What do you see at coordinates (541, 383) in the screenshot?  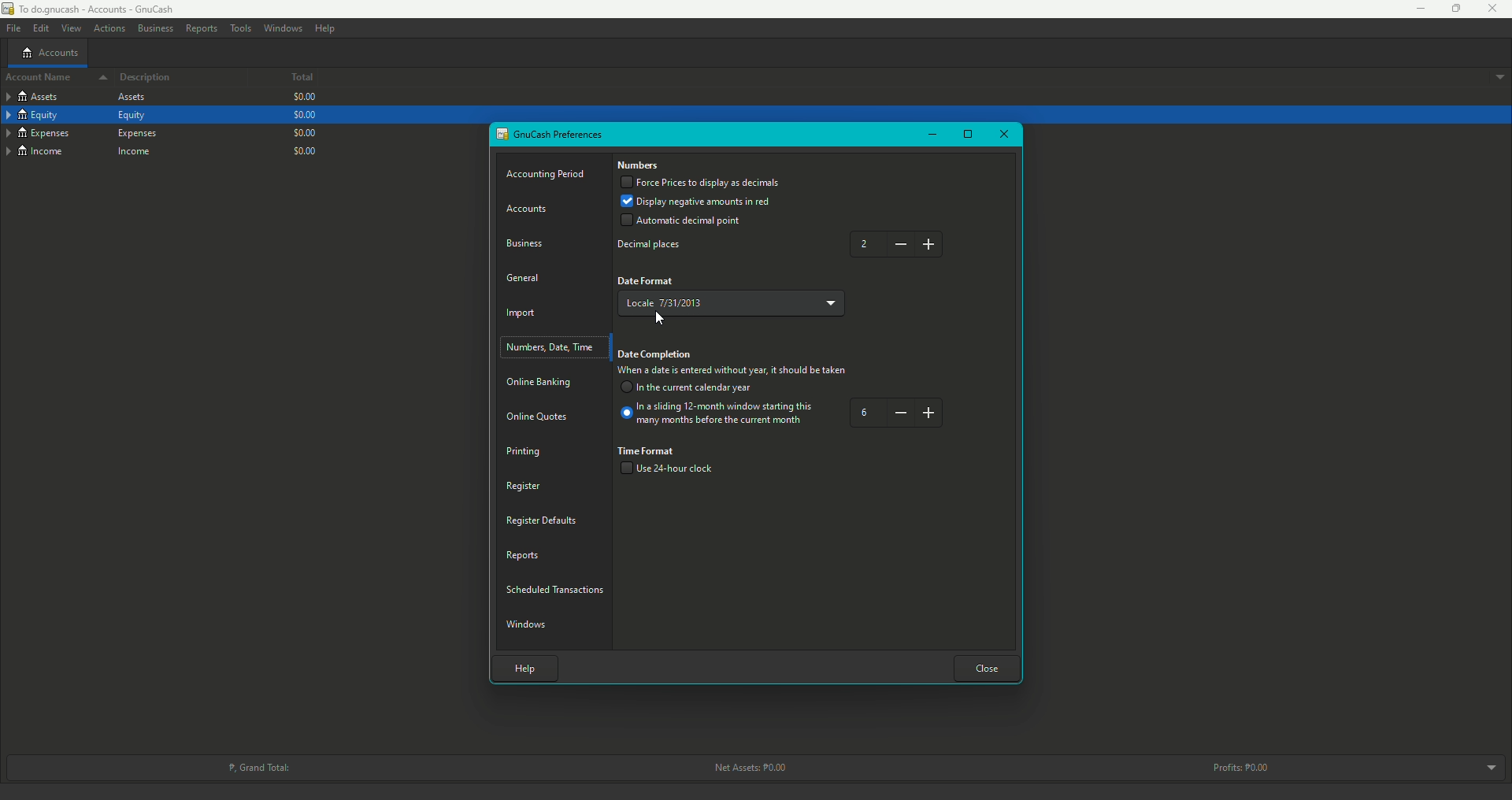 I see `Online banking` at bounding box center [541, 383].